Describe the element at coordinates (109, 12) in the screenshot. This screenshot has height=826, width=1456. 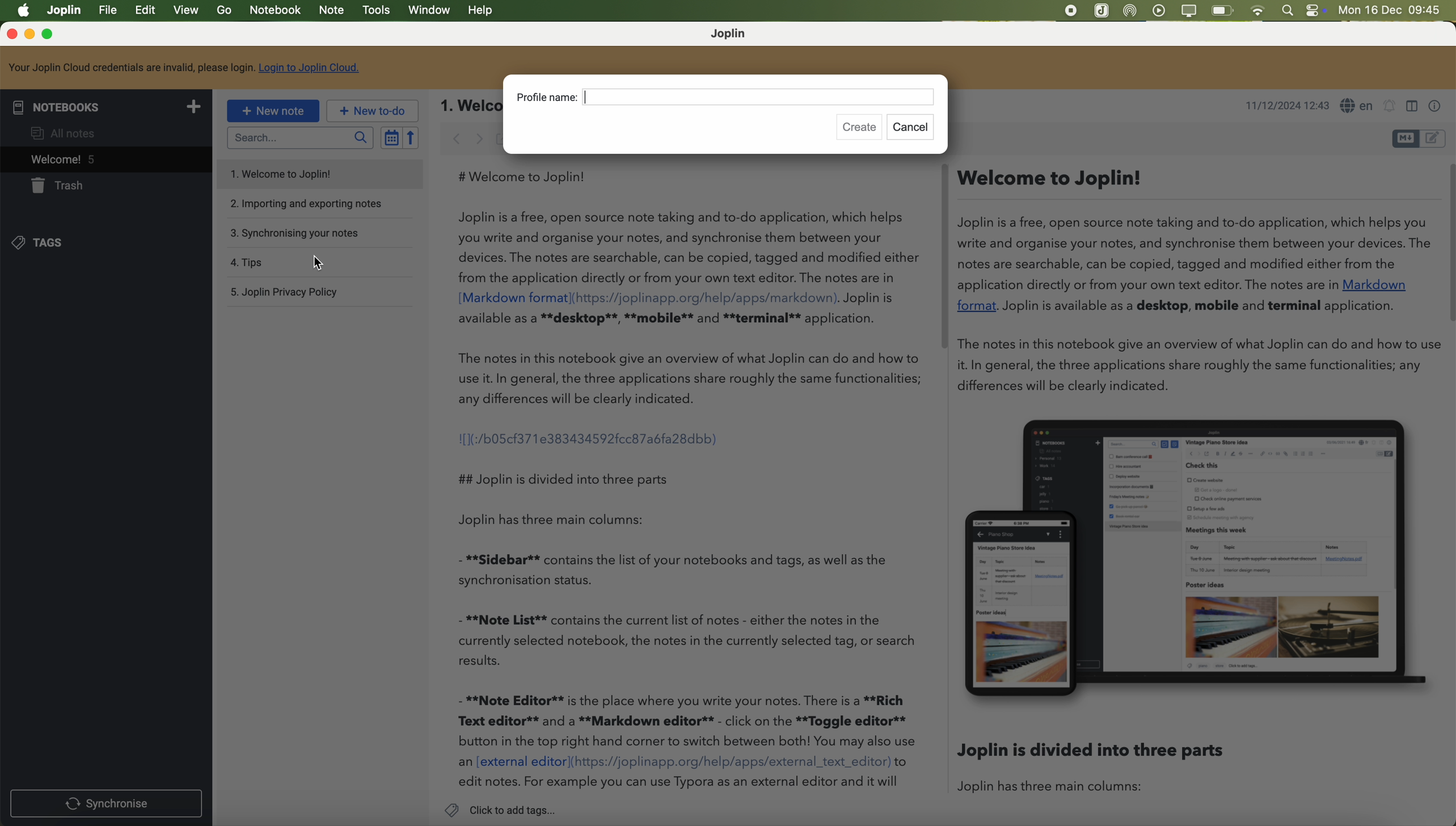
I see `click on file` at that location.